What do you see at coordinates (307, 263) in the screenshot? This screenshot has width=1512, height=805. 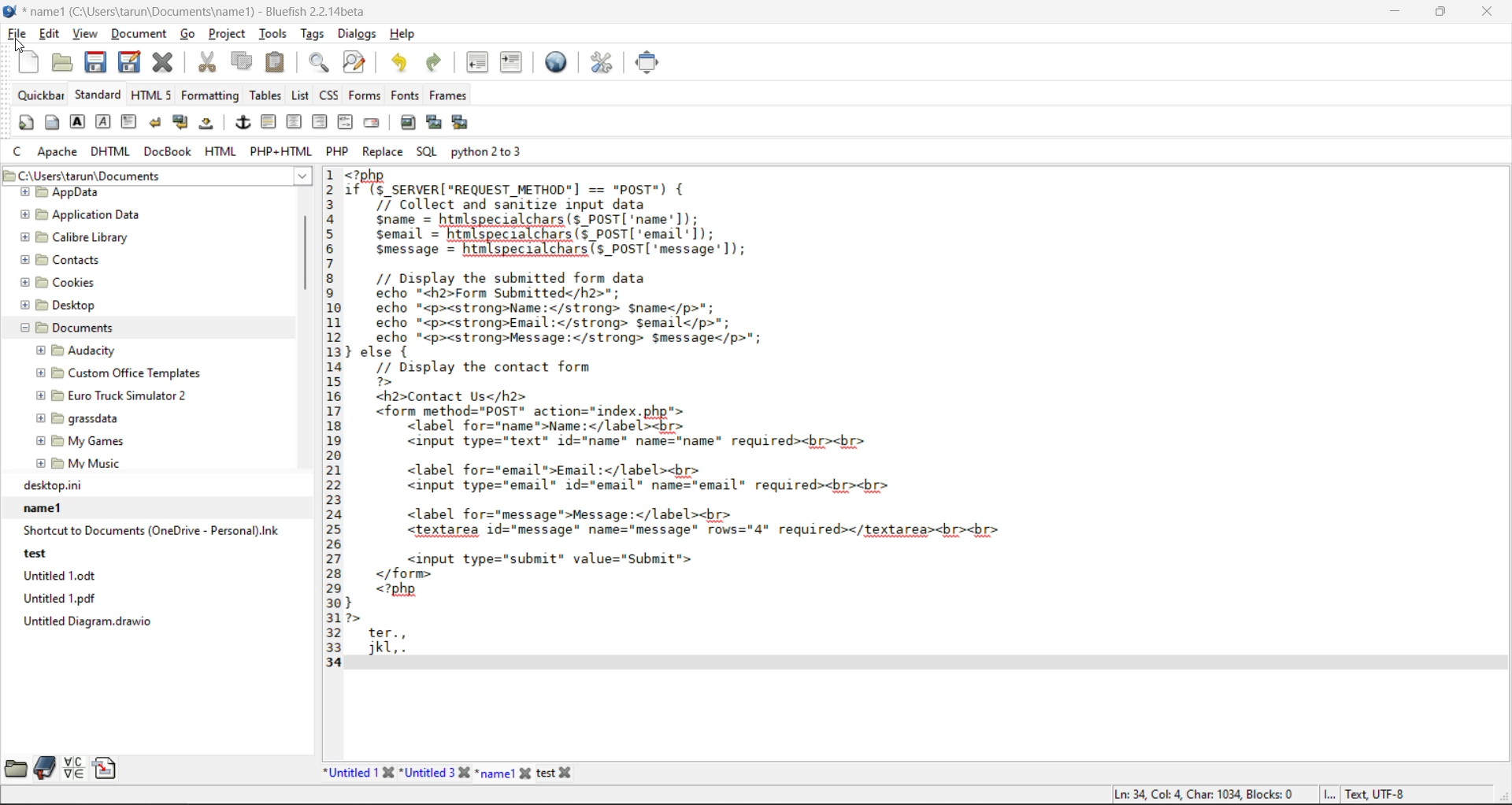 I see `vertical scroll bar` at bounding box center [307, 263].